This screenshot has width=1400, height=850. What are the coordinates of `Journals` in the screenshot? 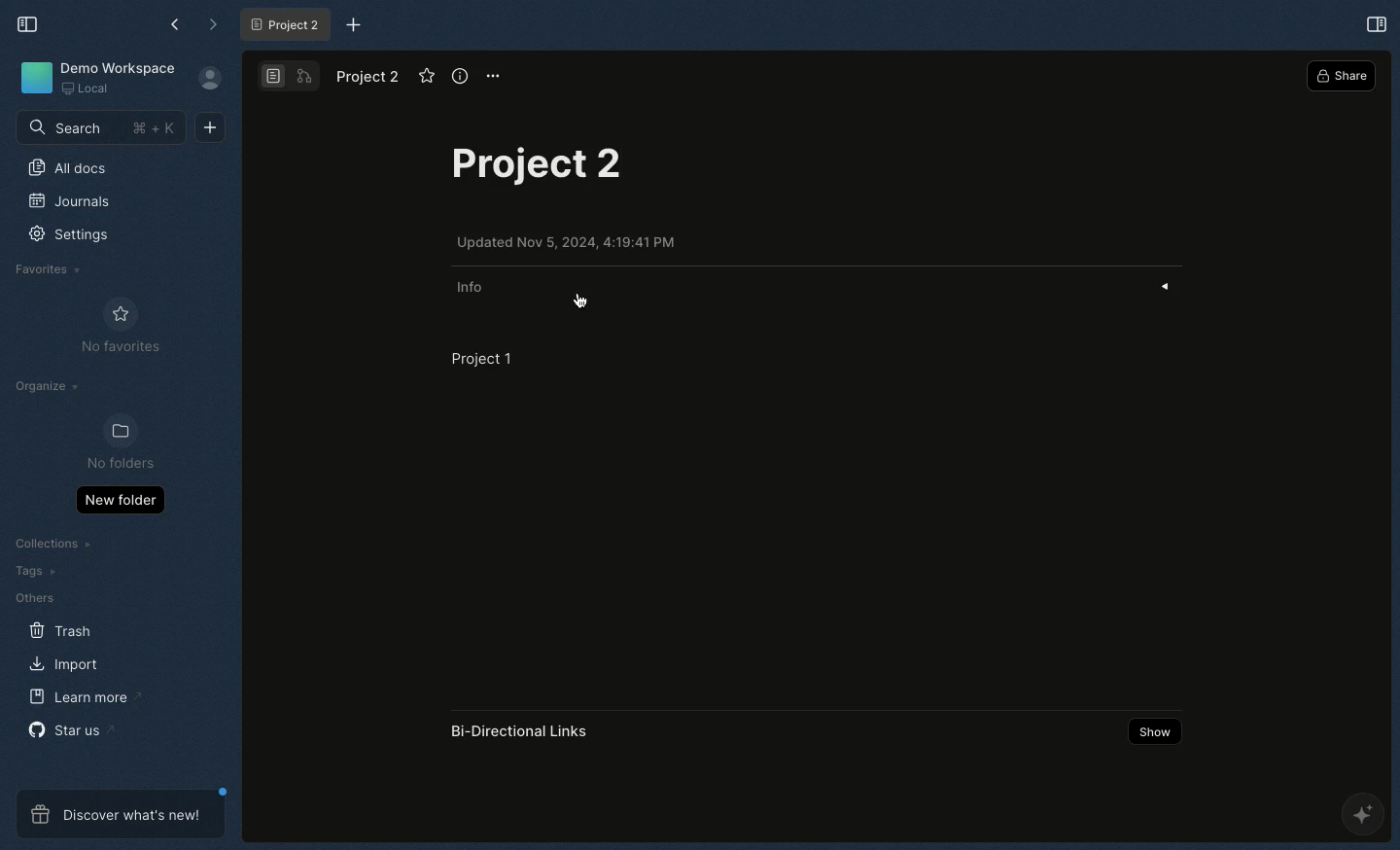 It's located at (69, 201).